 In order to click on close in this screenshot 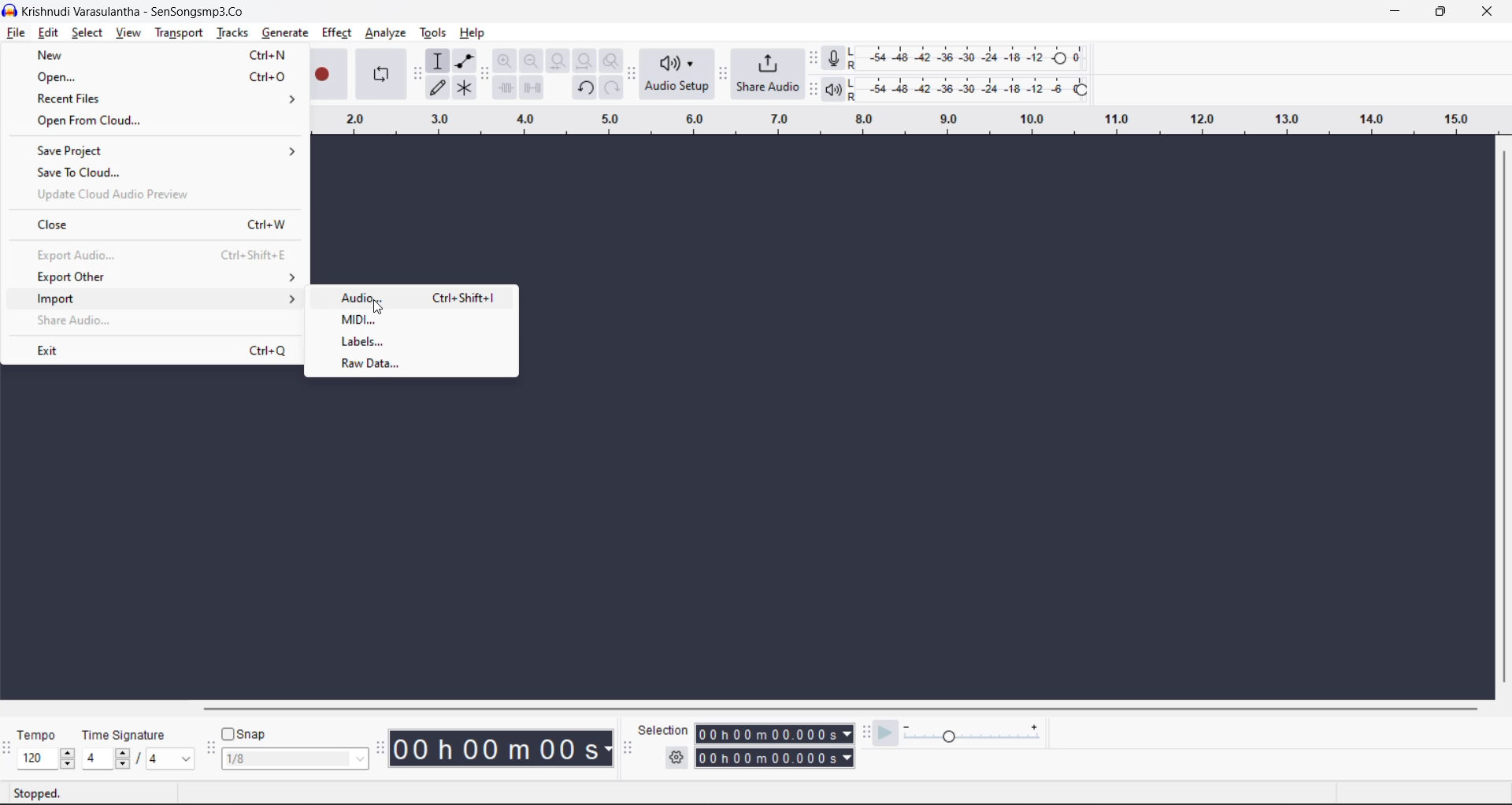, I will do `click(162, 225)`.